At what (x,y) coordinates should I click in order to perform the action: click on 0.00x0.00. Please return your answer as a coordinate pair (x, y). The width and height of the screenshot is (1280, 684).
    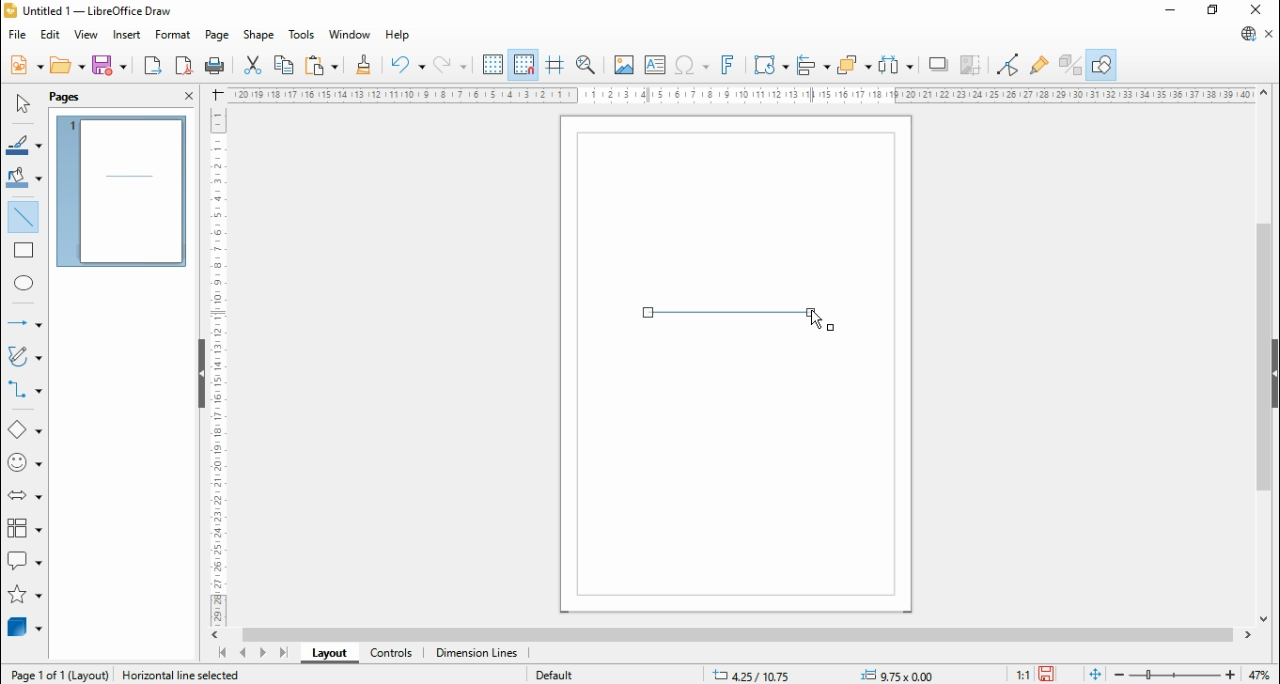
    Looking at the image, I should click on (900, 675).